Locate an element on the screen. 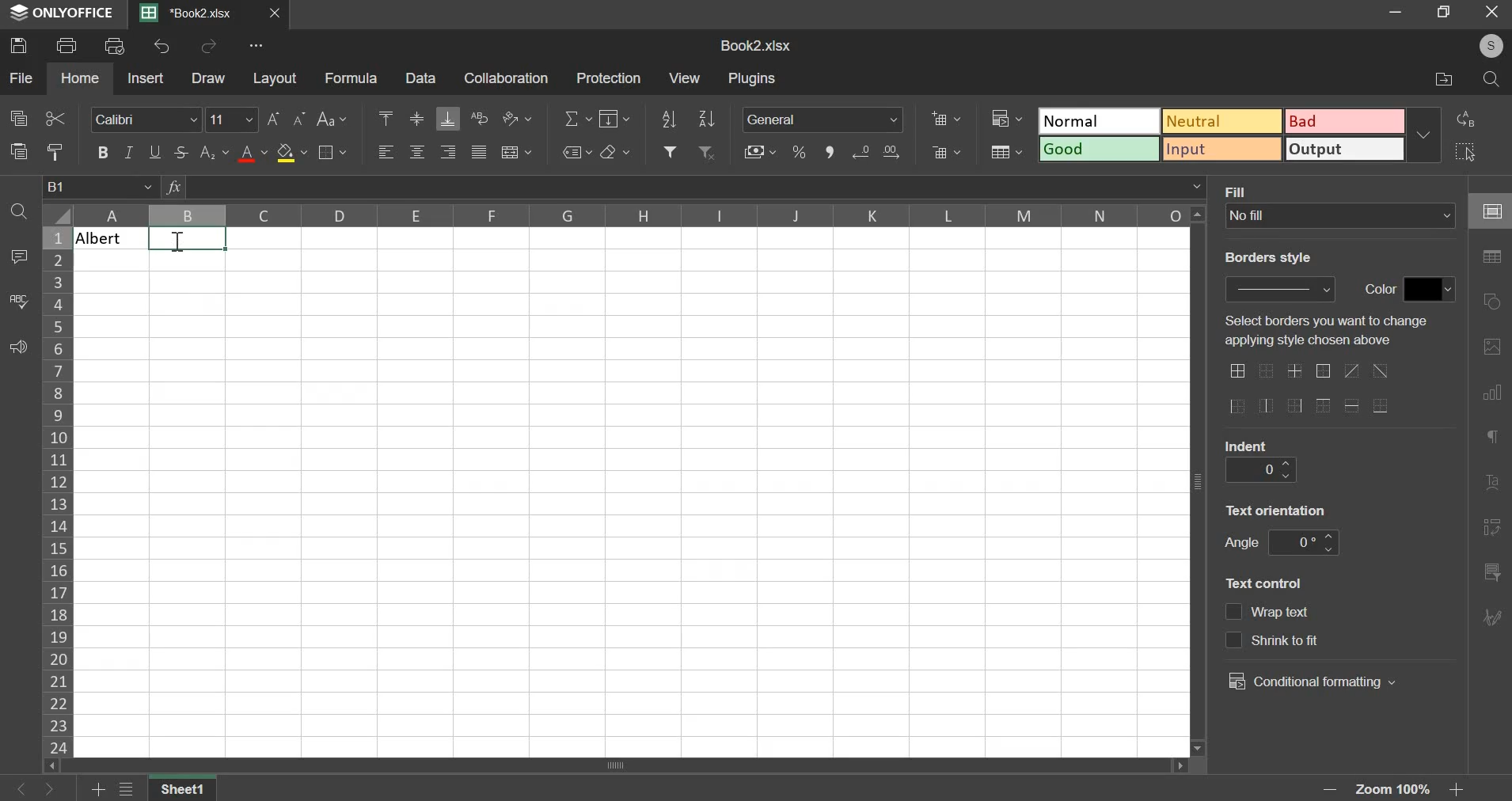 Image resolution: width=1512 pixels, height=801 pixels. paragraph settings is located at coordinates (1496, 440).